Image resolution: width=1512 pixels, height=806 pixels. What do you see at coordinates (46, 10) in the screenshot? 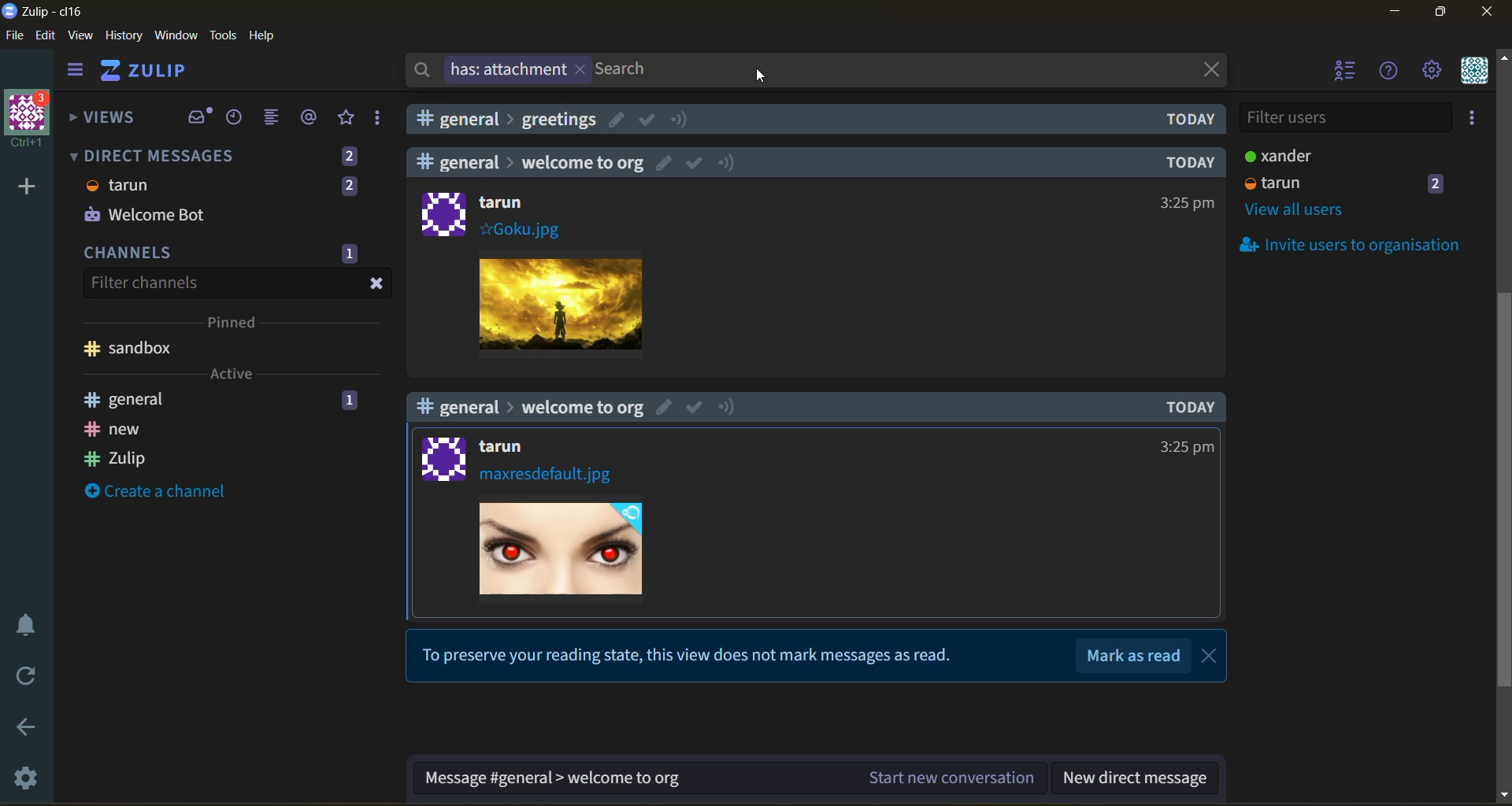
I see `Zulip-cl16` at bounding box center [46, 10].